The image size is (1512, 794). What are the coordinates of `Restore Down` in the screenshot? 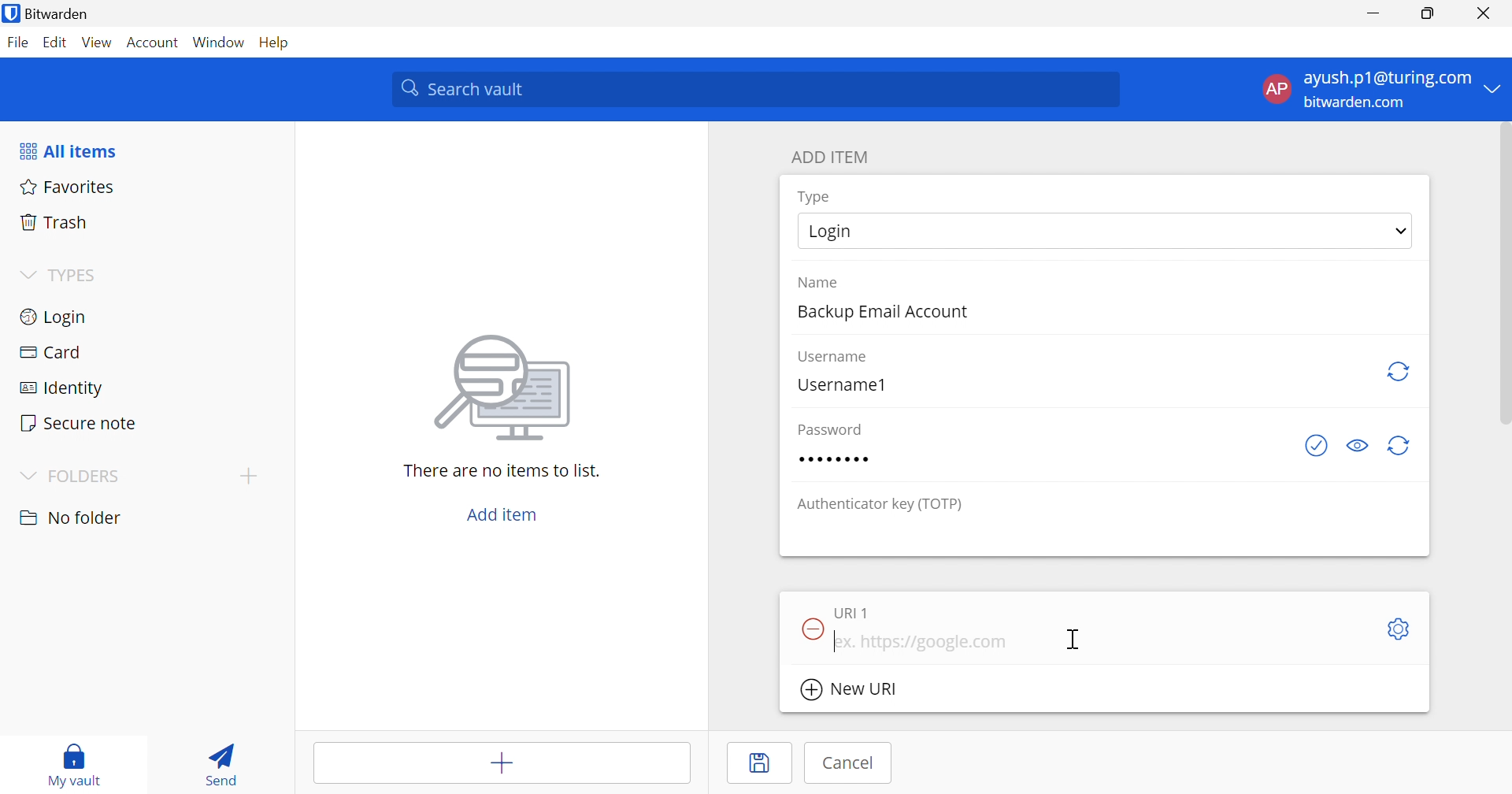 It's located at (1427, 12).